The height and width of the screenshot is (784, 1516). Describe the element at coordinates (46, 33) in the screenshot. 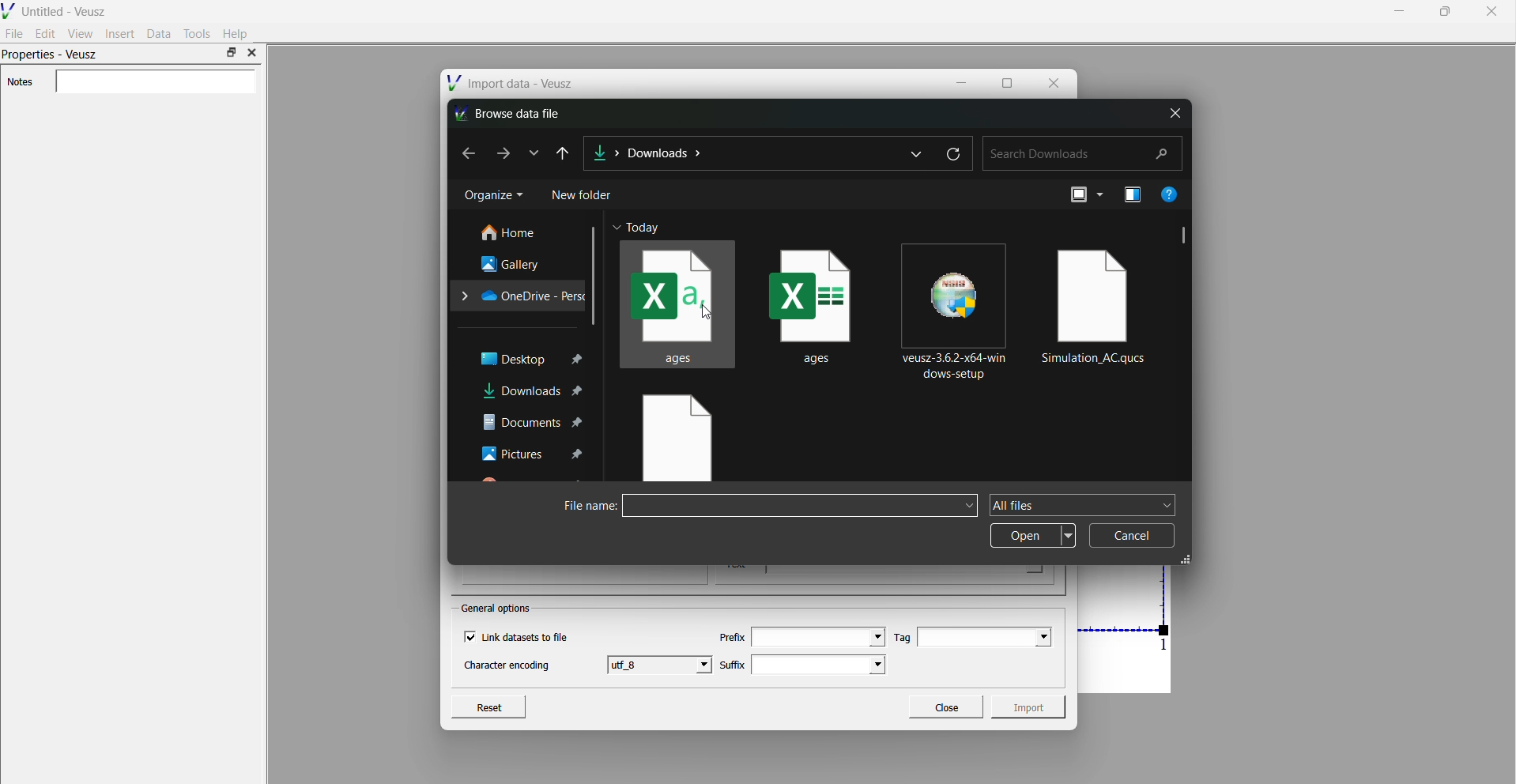

I see `Edit` at that location.